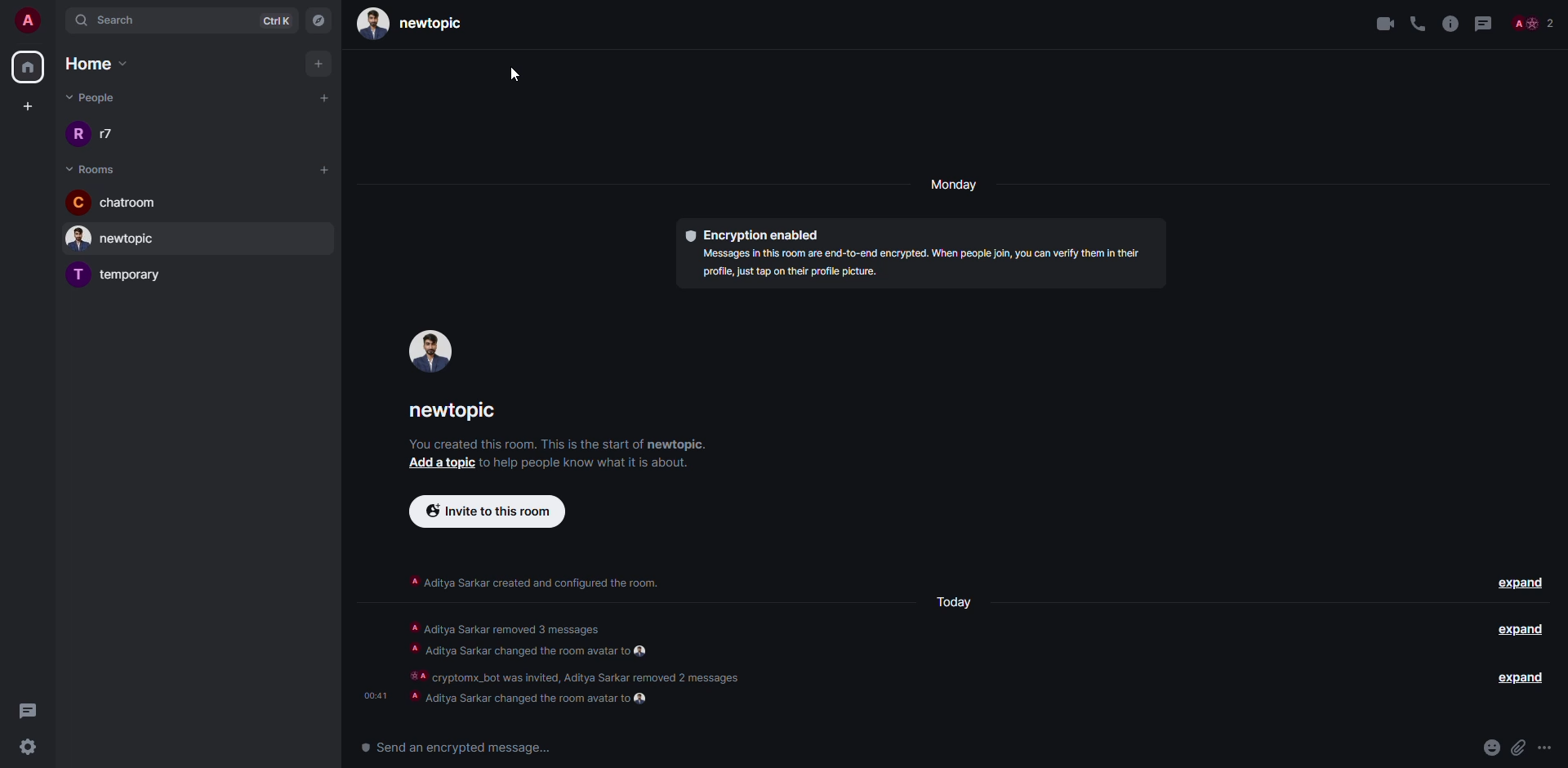 The width and height of the screenshot is (1568, 768). Describe the element at coordinates (458, 410) in the screenshot. I see `room` at that location.